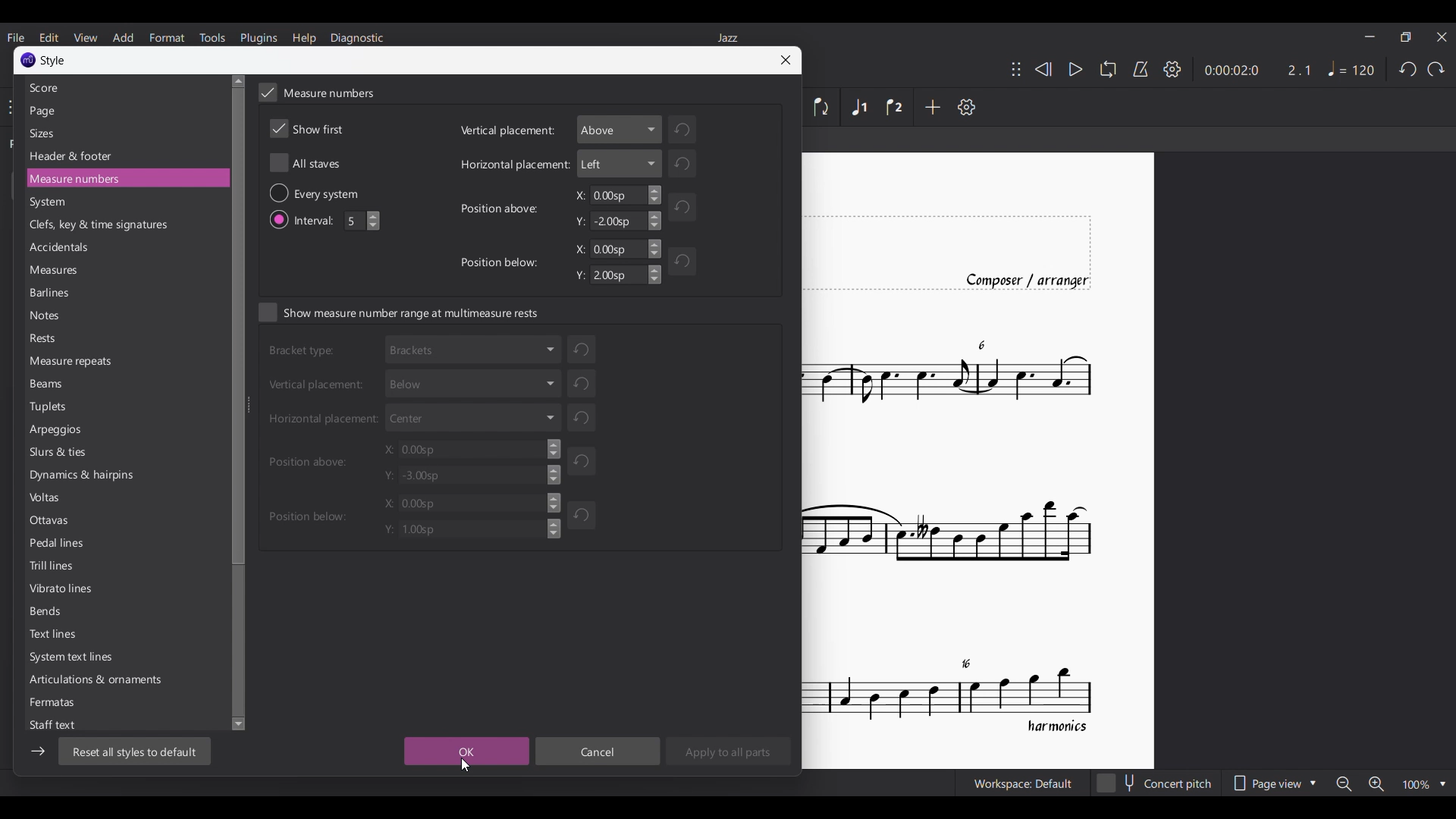 Image resolution: width=1456 pixels, height=819 pixels. I want to click on Horizontal, so click(323, 421).